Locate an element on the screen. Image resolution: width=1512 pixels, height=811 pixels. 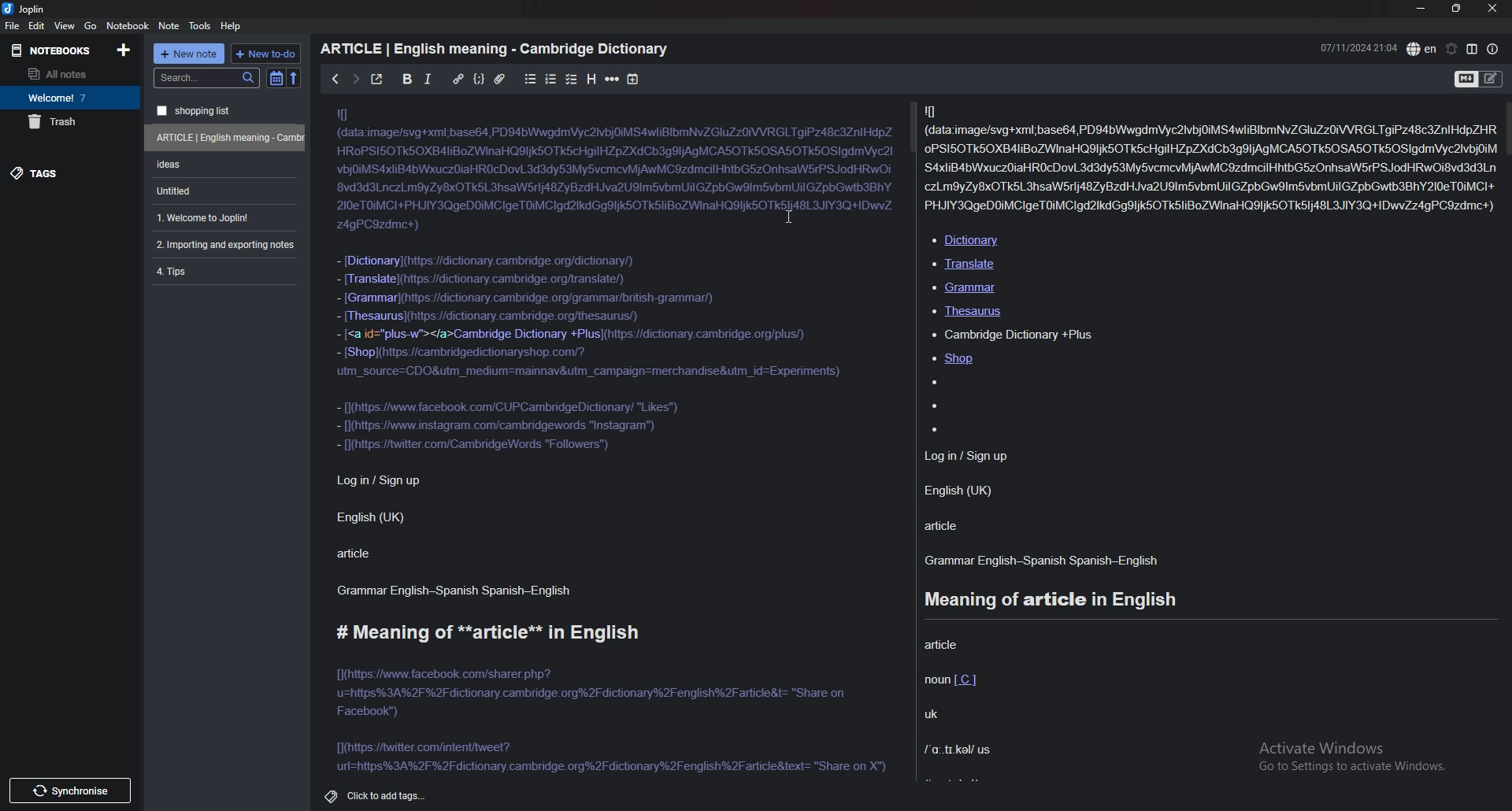
attachment is located at coordinates (500, 80).